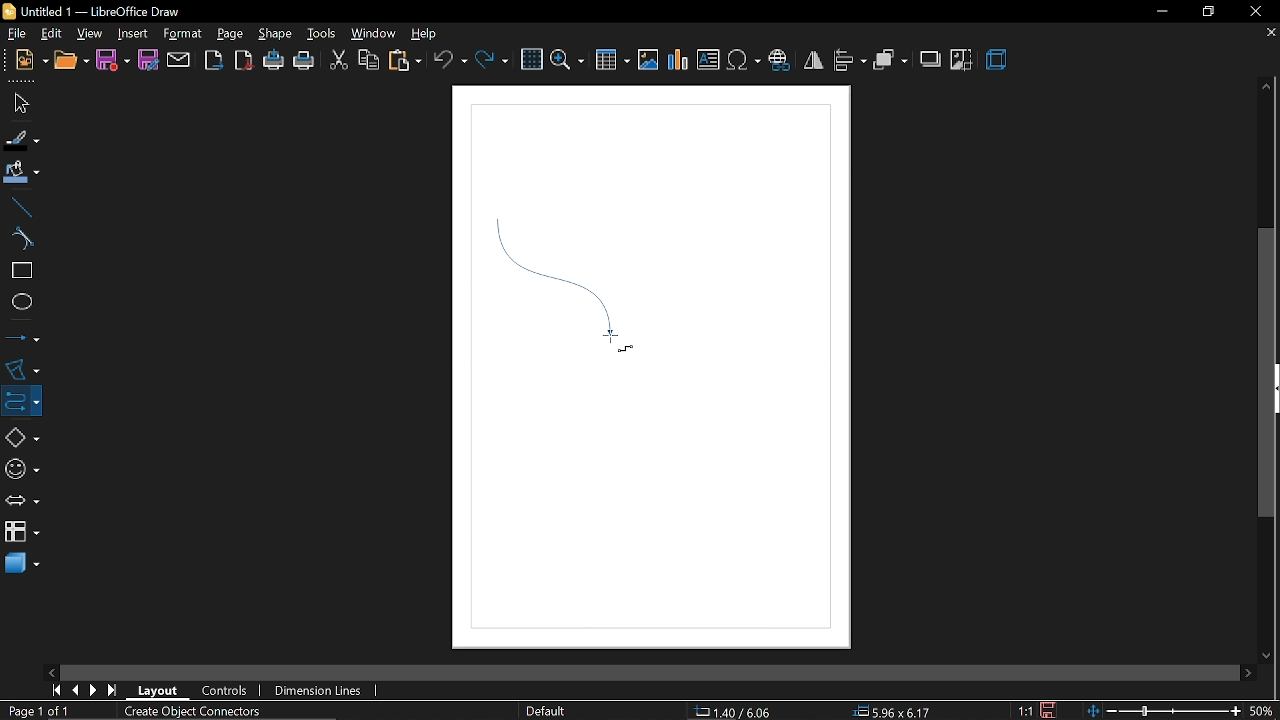 The width and height of the screenshot is (1280, 720). What do you see at coordinates (20, 369) in the screenshot?
I see `curves and polygons` at bounding box center [20, 369].